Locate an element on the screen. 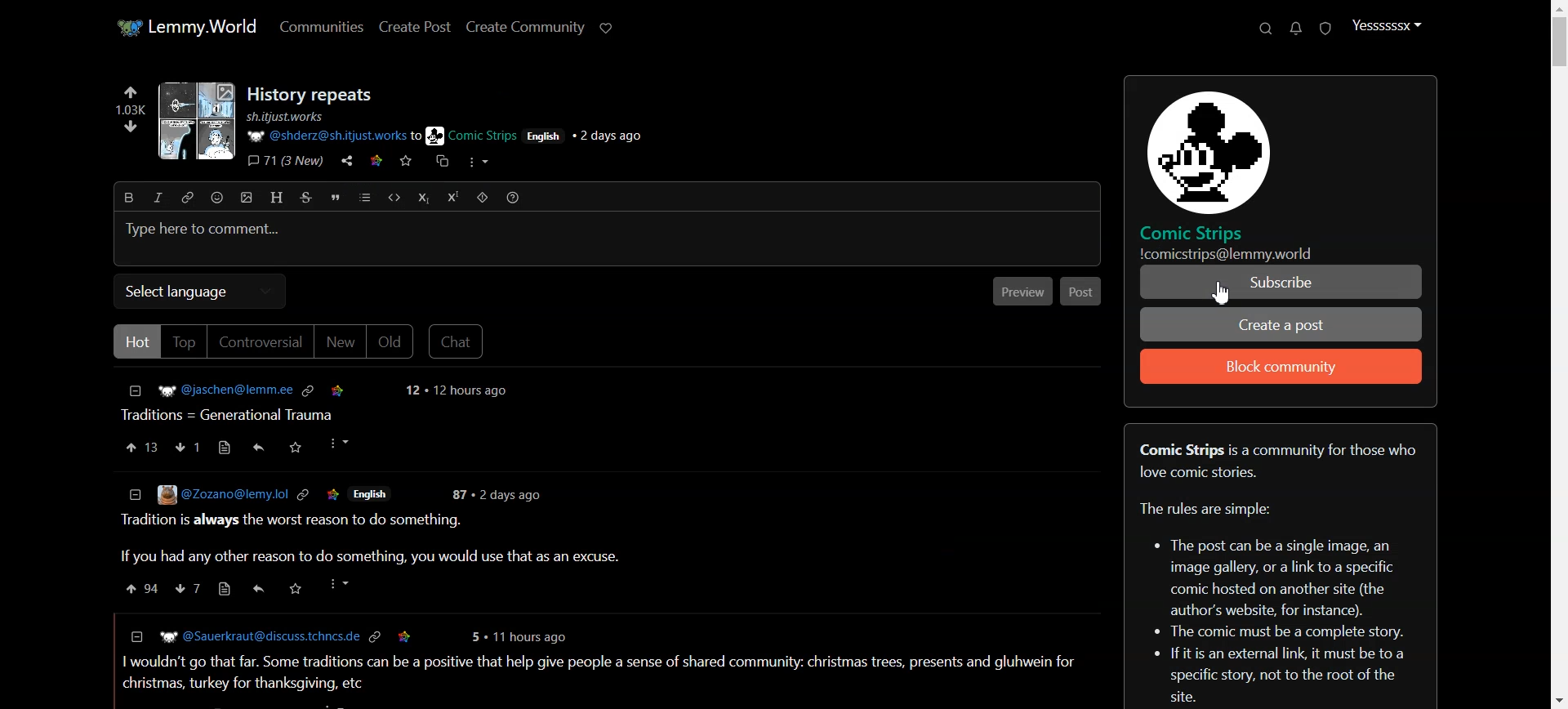 This screenshot has height=709, width=1568. Share is located at coordinates (347, 162).